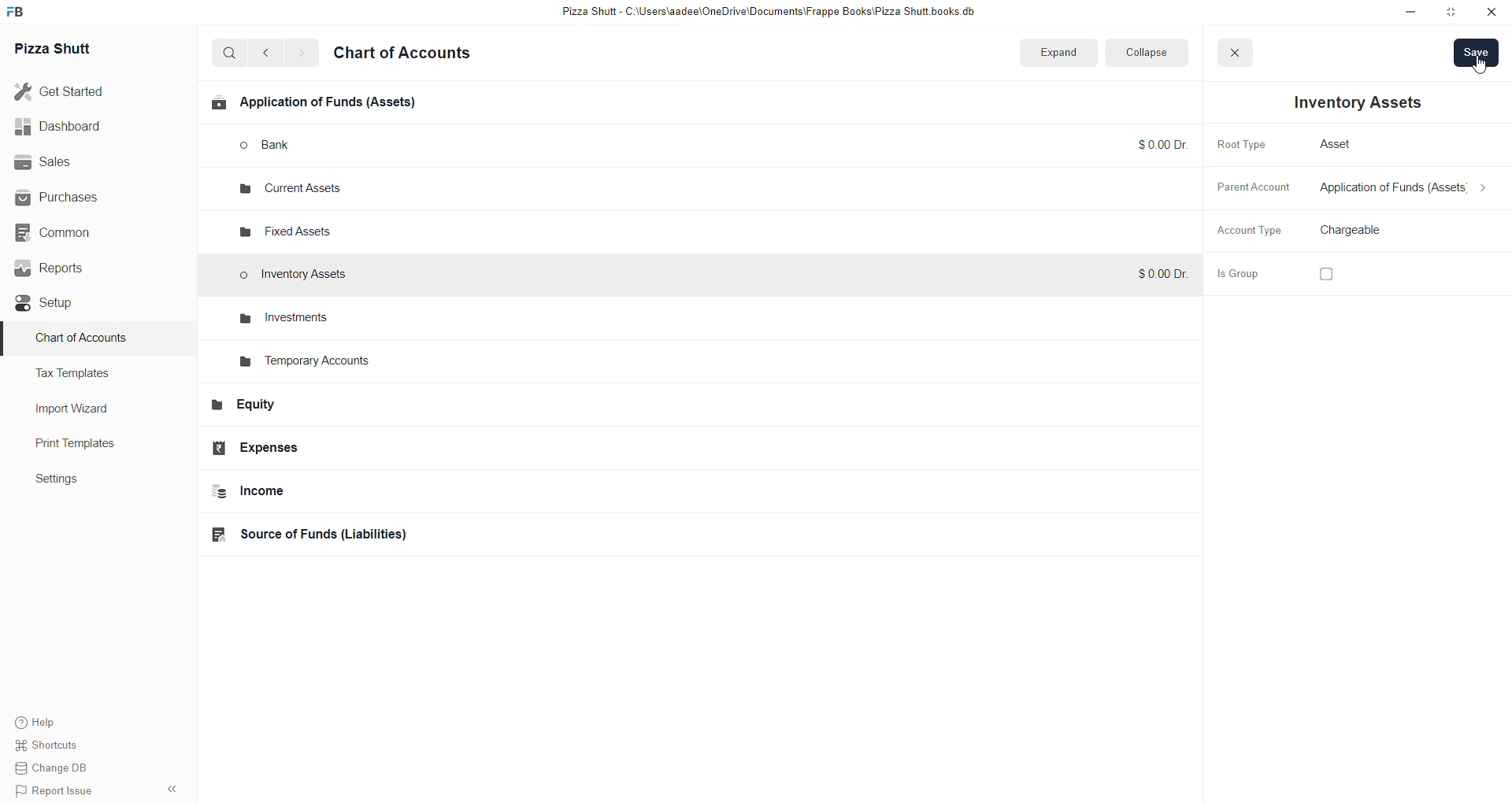  What do you see at coordinates (1155, 145) in the screenshot?
I see `$0.00 Dr.` at bounding box center [1155, 145].